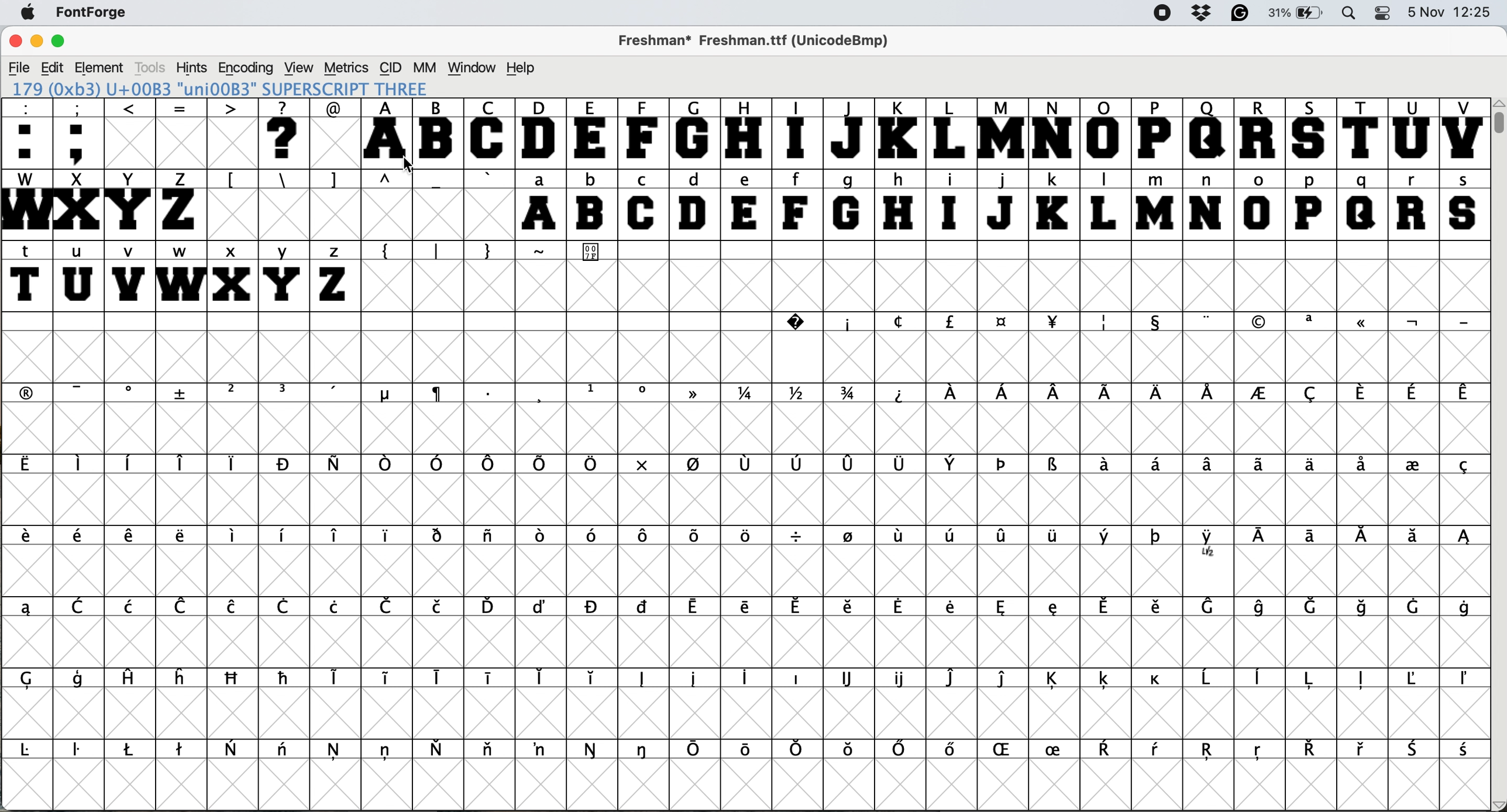 The width and height of the screenshot is (1507, 812). What do you see at coordinates (1105, 133) in the screenshot?
I see `O` at bounding box center [1105, 133].